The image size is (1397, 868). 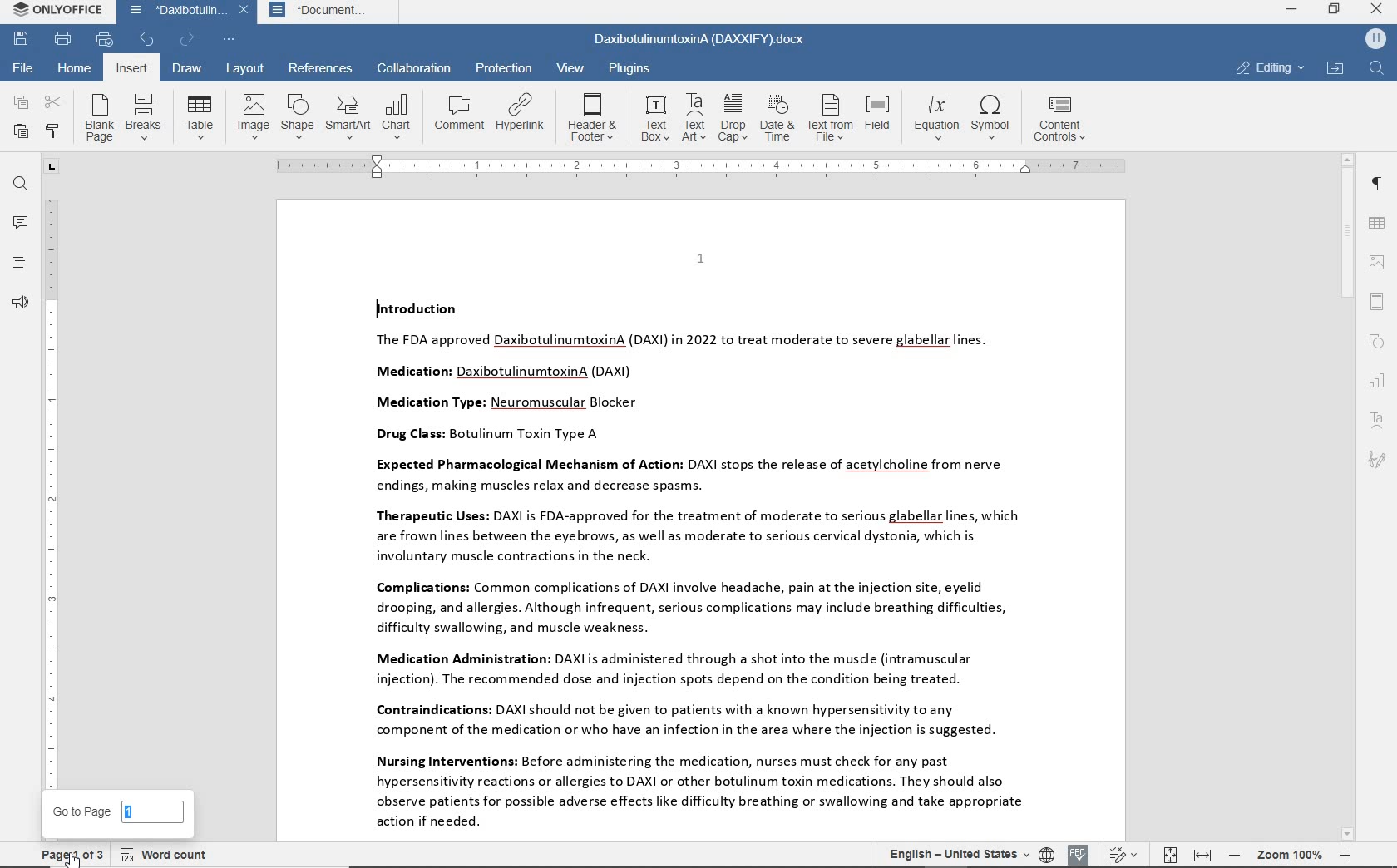 What do you see at coordinates (1376, 303) in the screenshot?
I see `header & footer` at bounding box center [1376, 303].